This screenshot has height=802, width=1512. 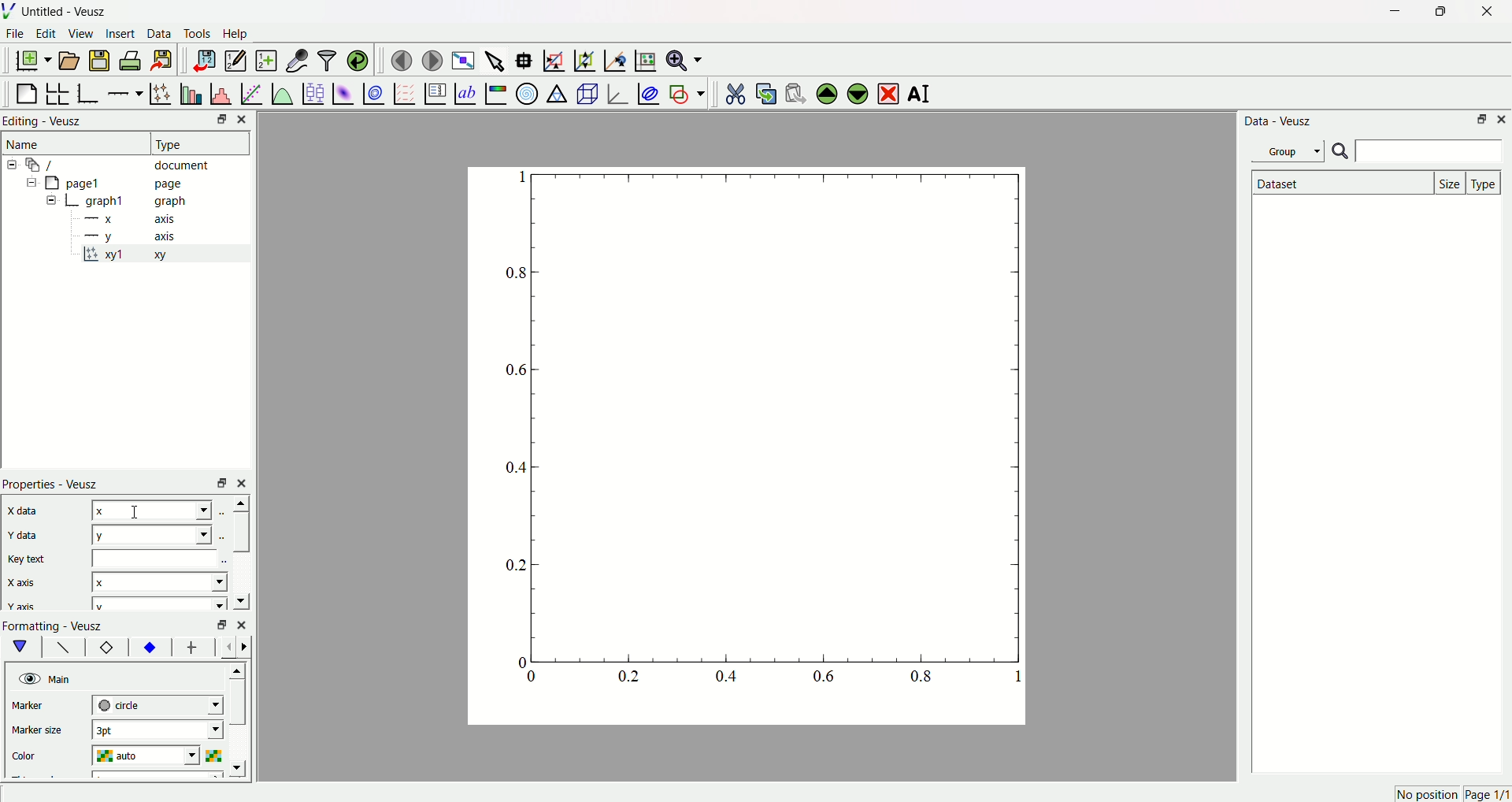 I want to click on Maximize, so click(x=1437, y=12).